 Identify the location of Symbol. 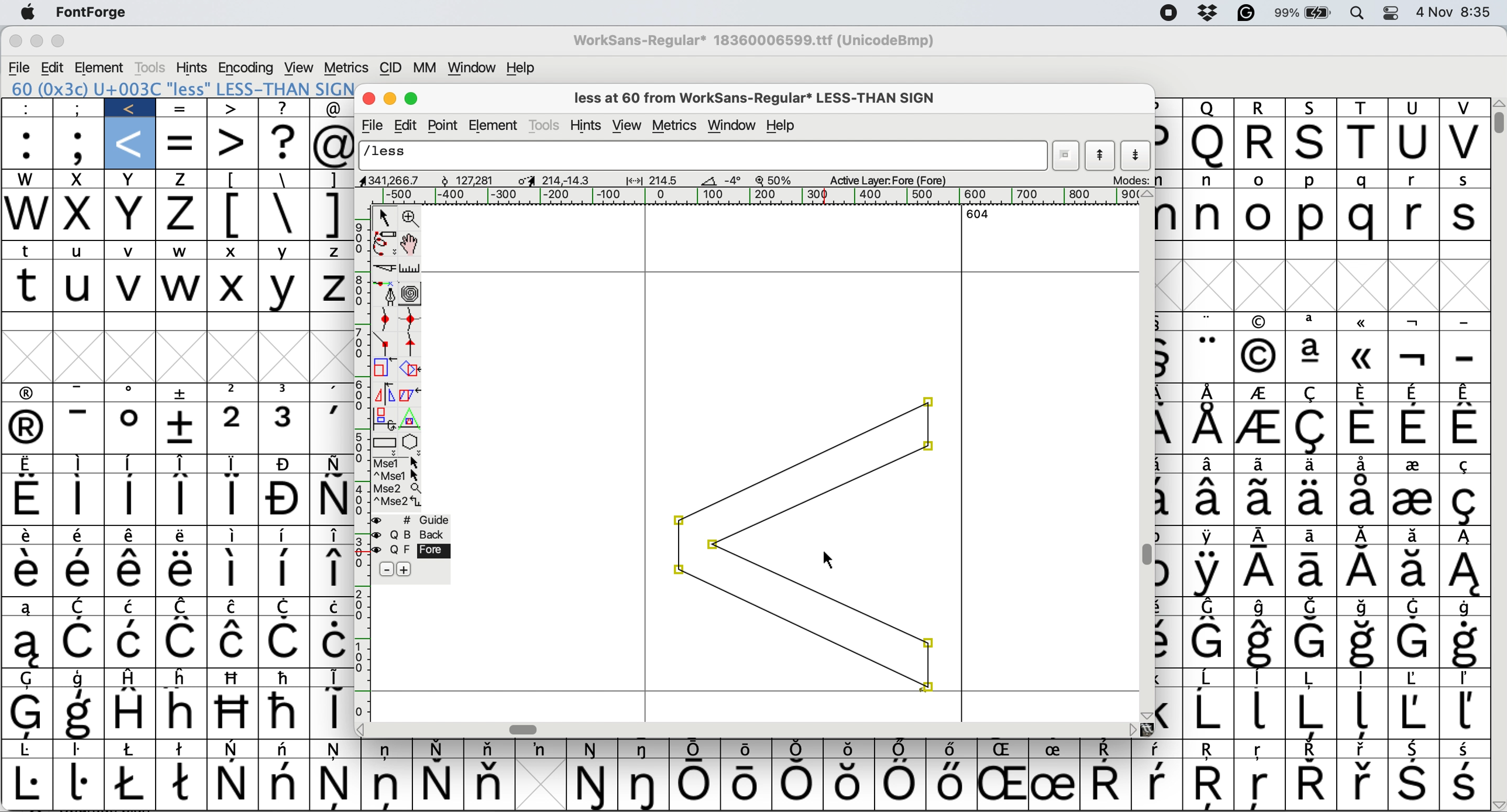
(1416, 535).